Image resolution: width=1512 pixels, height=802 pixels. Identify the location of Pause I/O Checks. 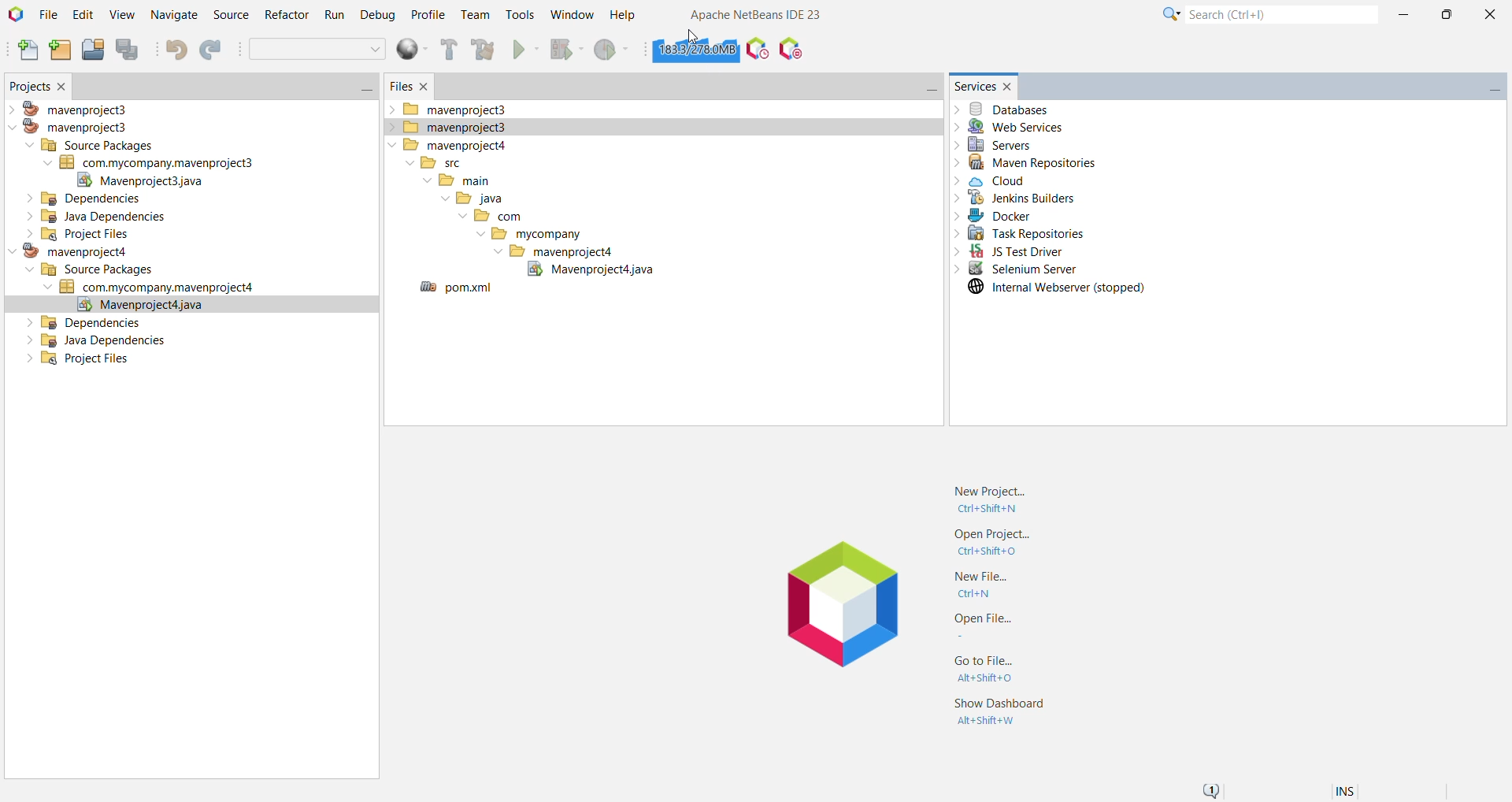
(791, 50).